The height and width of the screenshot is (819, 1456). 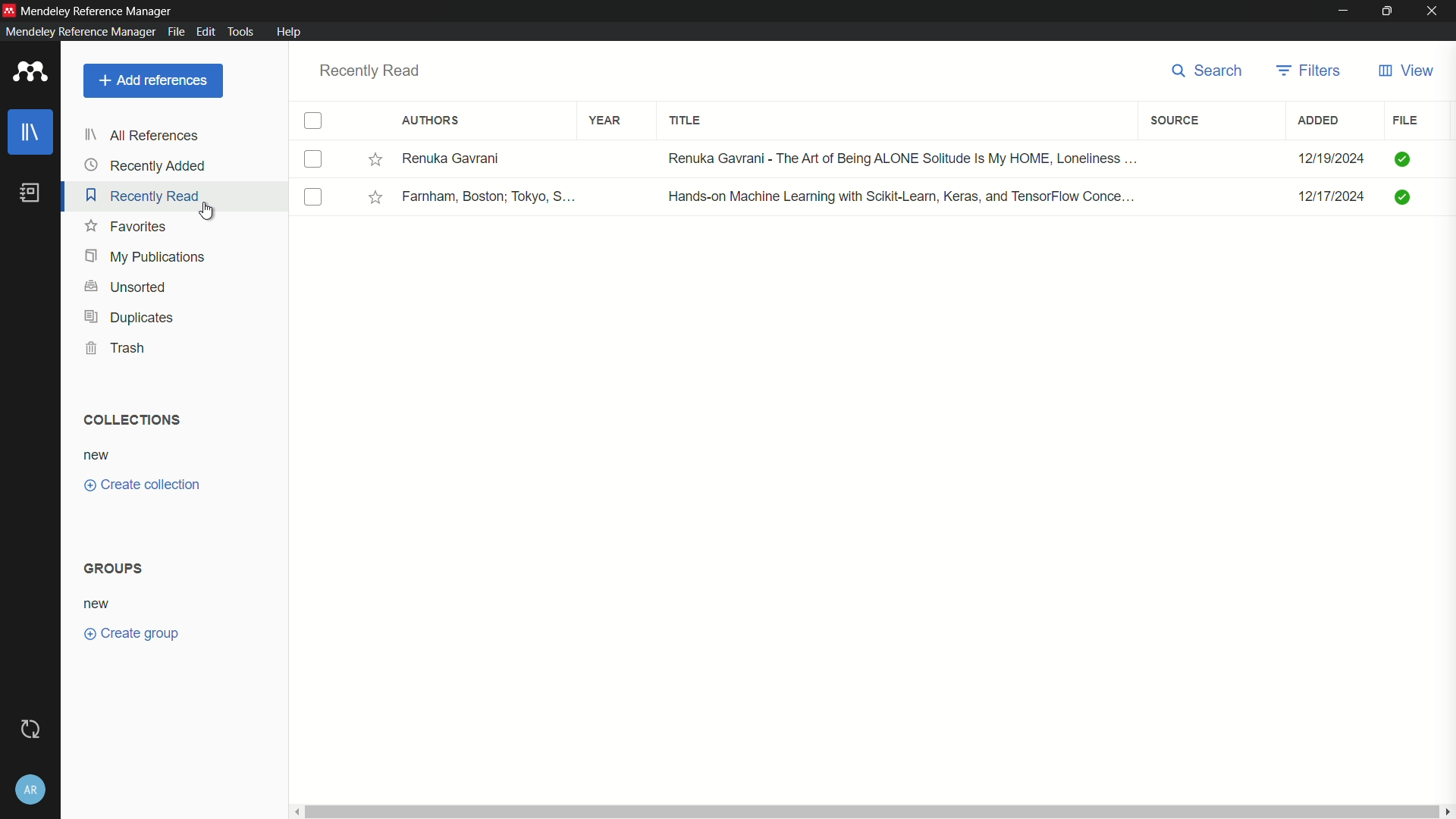 I want to click on search, so click(x=1210, y=71).